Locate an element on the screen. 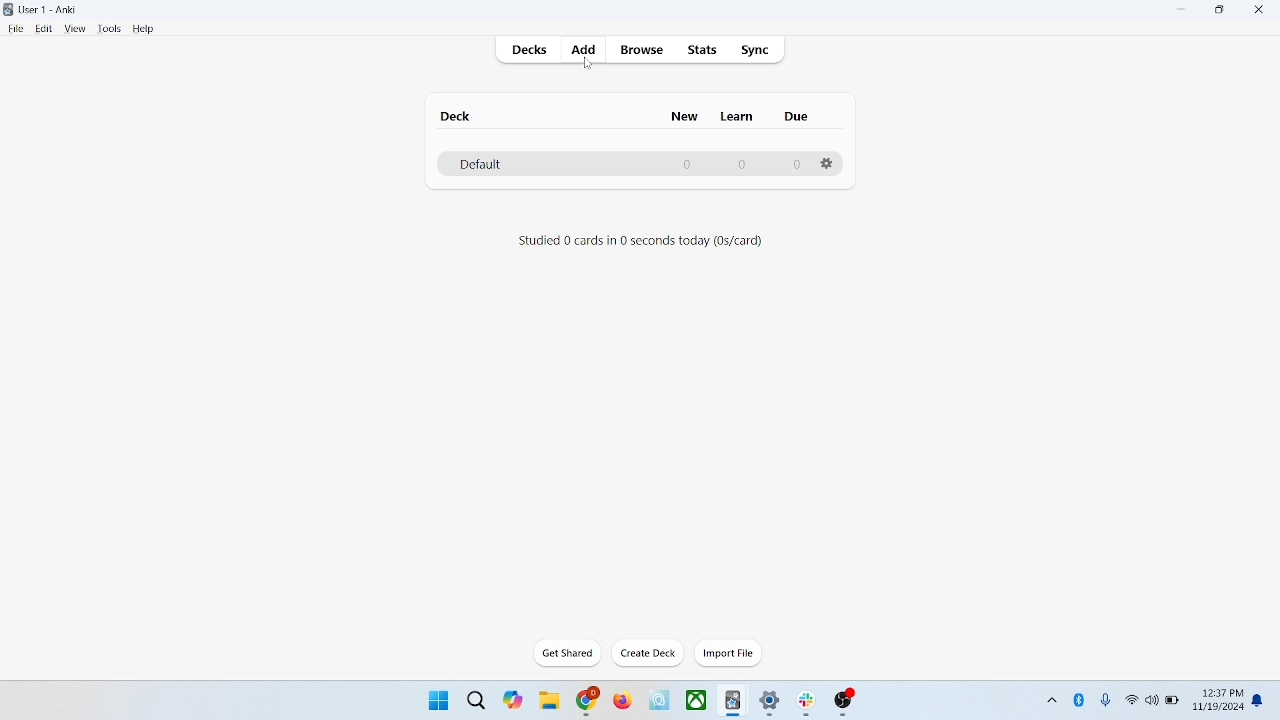 This screenshot has width=1280, height=720. speaker is located at coordinates (1152, 699).